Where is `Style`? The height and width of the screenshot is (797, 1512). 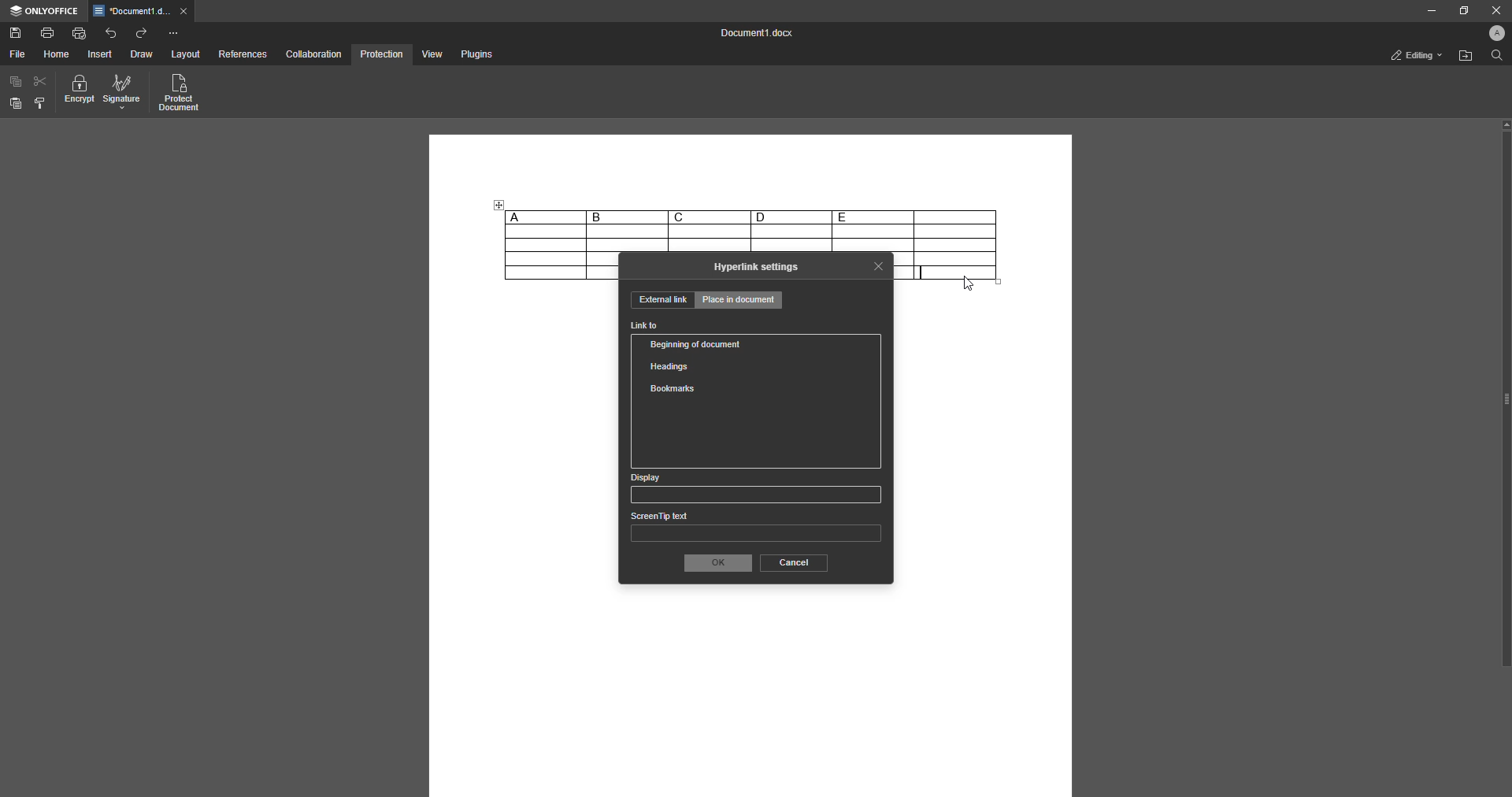 Style is located at coordinates (41, 103).